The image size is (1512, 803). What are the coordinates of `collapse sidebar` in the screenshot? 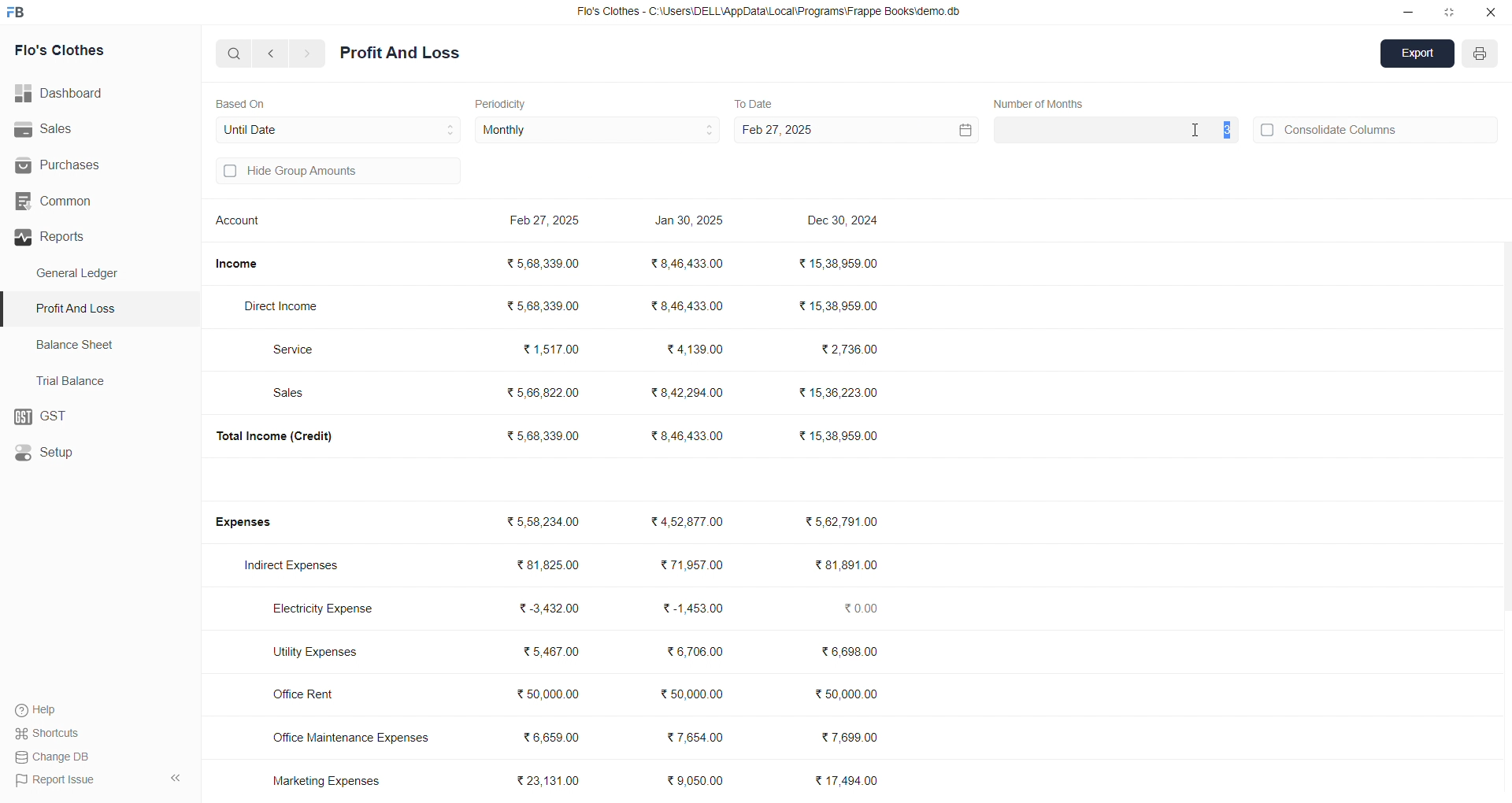 It's located at (175, 779).